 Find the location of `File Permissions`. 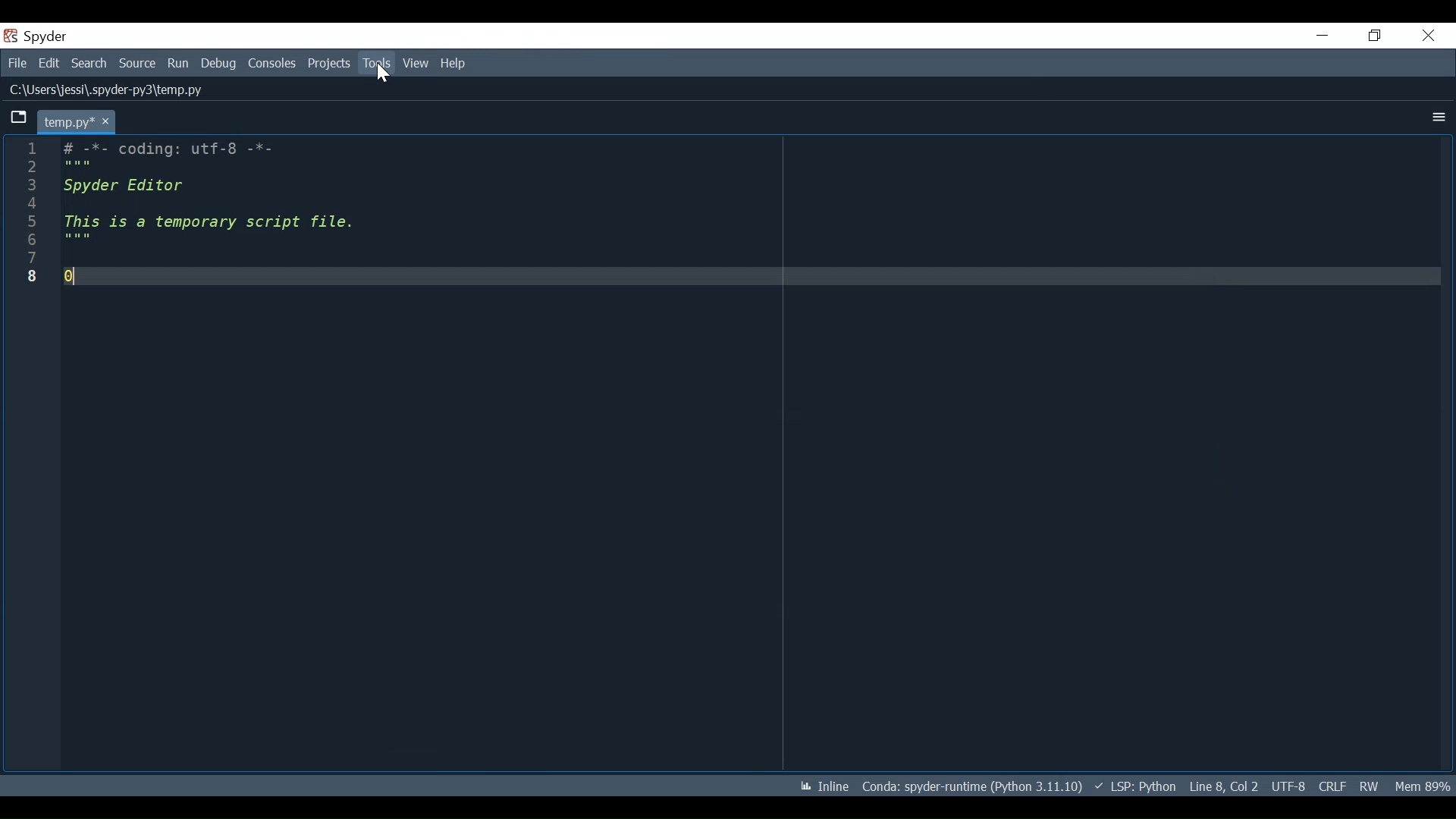

File Permissions is located at coordinates (1372, 785).